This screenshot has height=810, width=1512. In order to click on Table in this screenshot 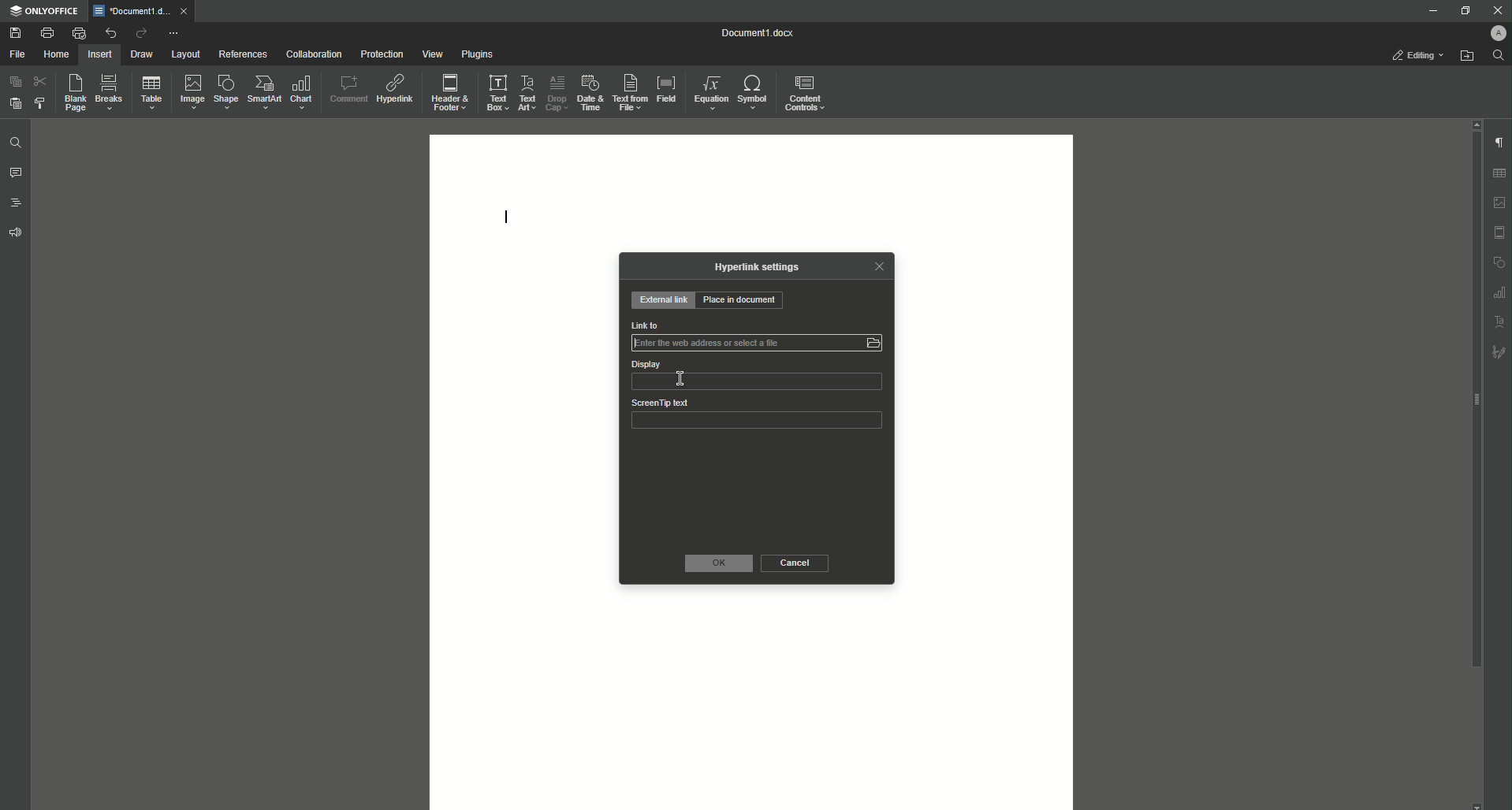, I will do `click(153, 93)`.